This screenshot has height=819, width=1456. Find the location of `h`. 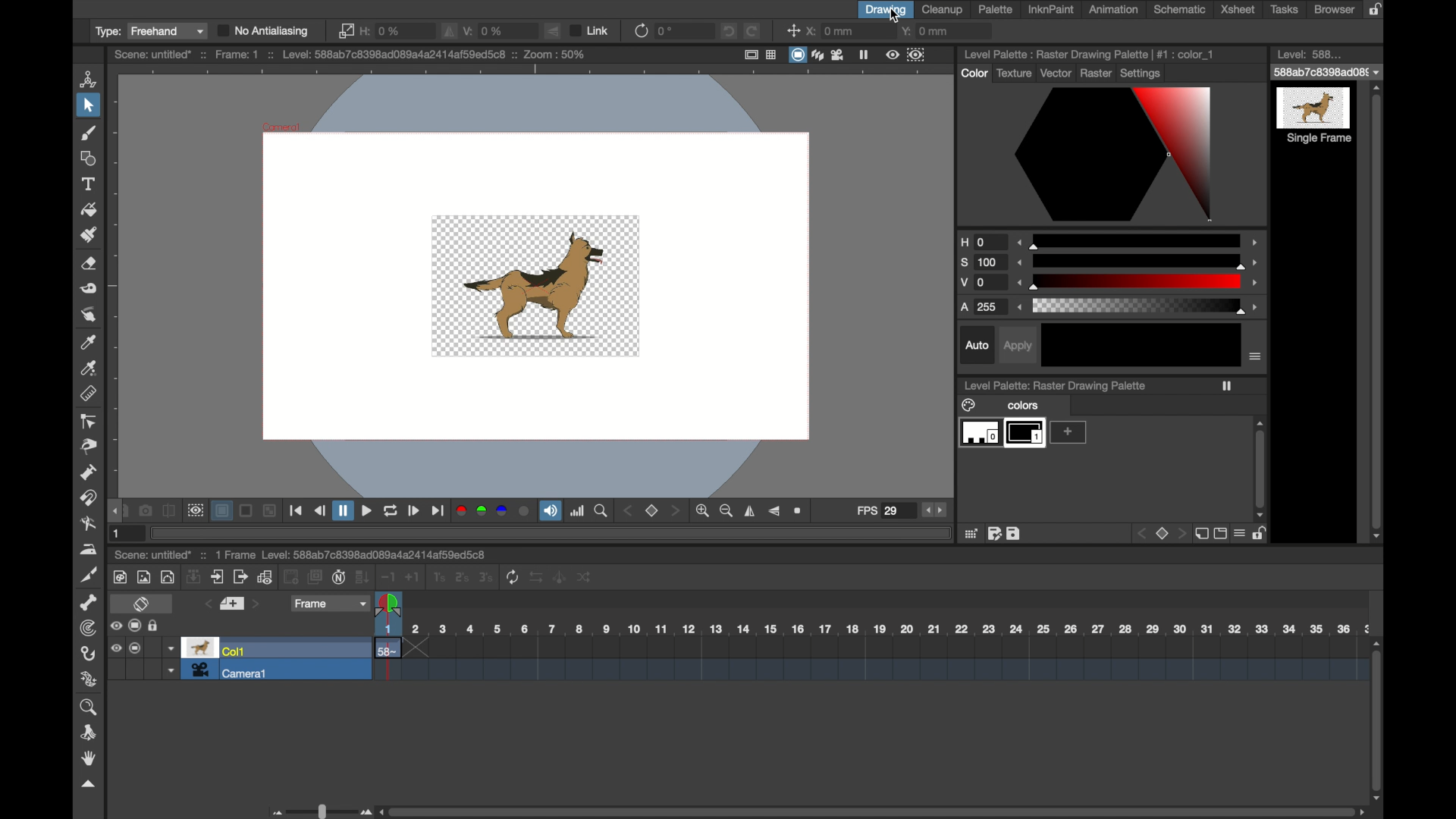

h is located at coordinates (384, 31).